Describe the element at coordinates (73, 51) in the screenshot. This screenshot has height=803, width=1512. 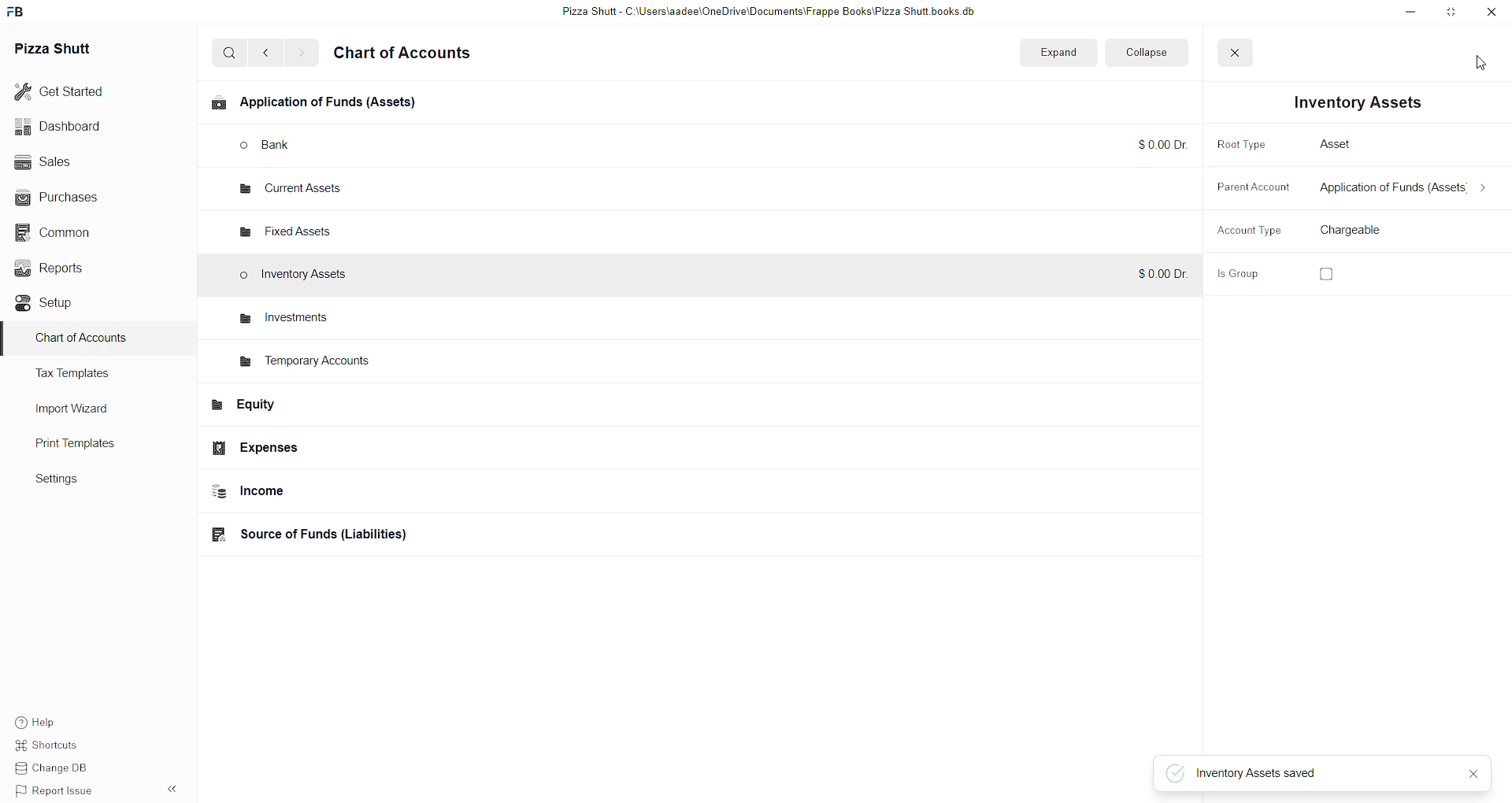
I see `Pizza Shutt` at that location.